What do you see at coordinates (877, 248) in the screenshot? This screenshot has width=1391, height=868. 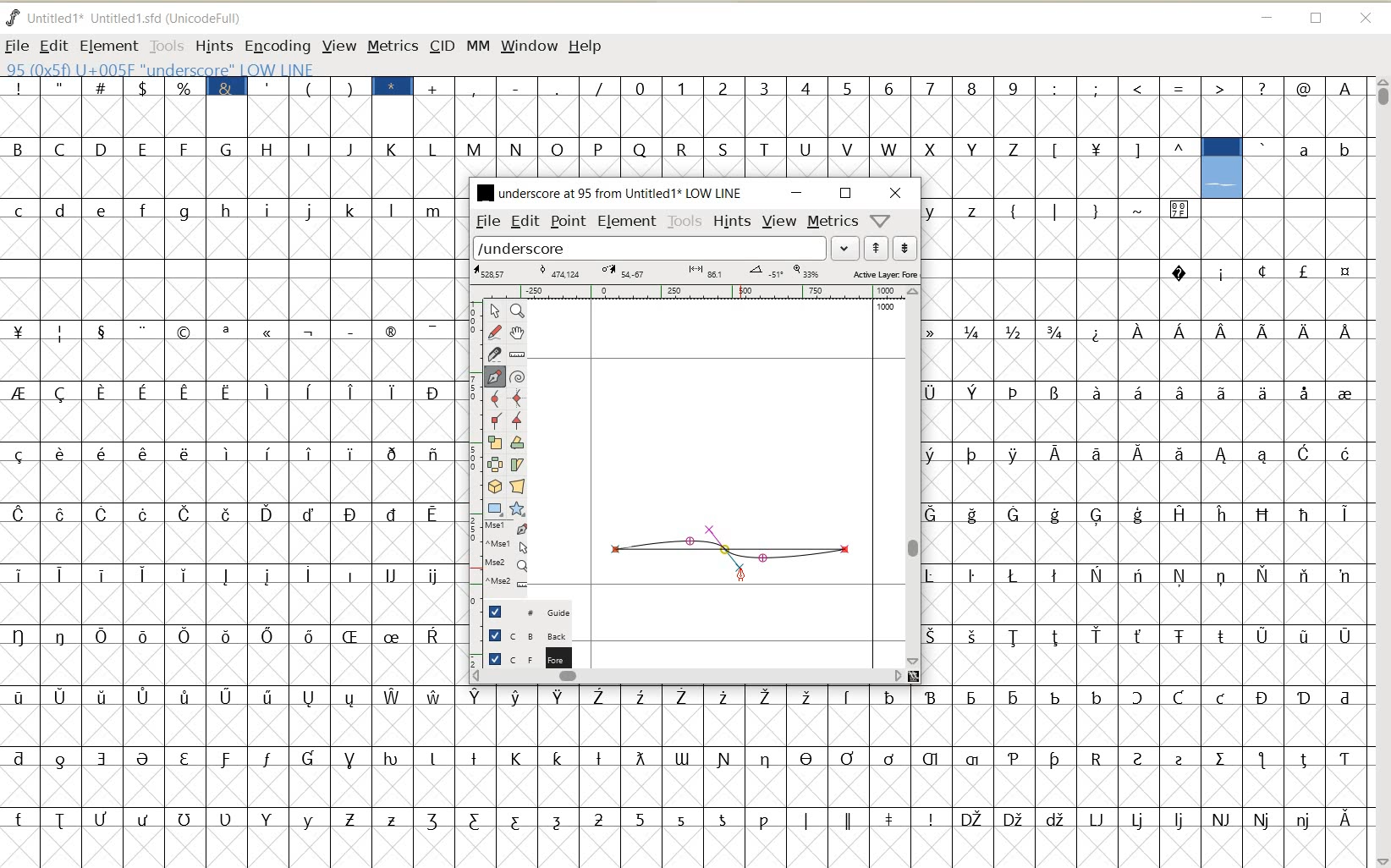 I see `show previous word list` at bounding box center [877, 248].